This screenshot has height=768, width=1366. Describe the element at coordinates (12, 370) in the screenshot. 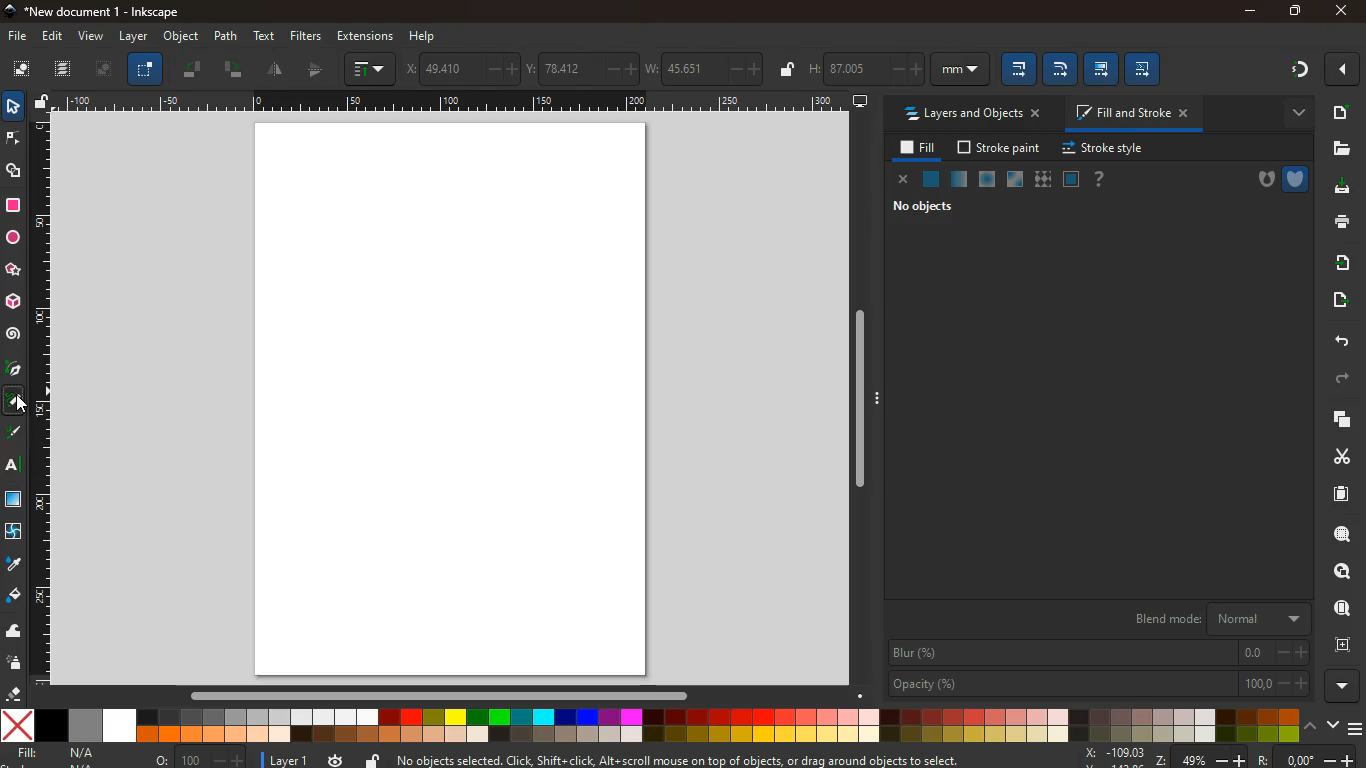

I see `pick` at that location.